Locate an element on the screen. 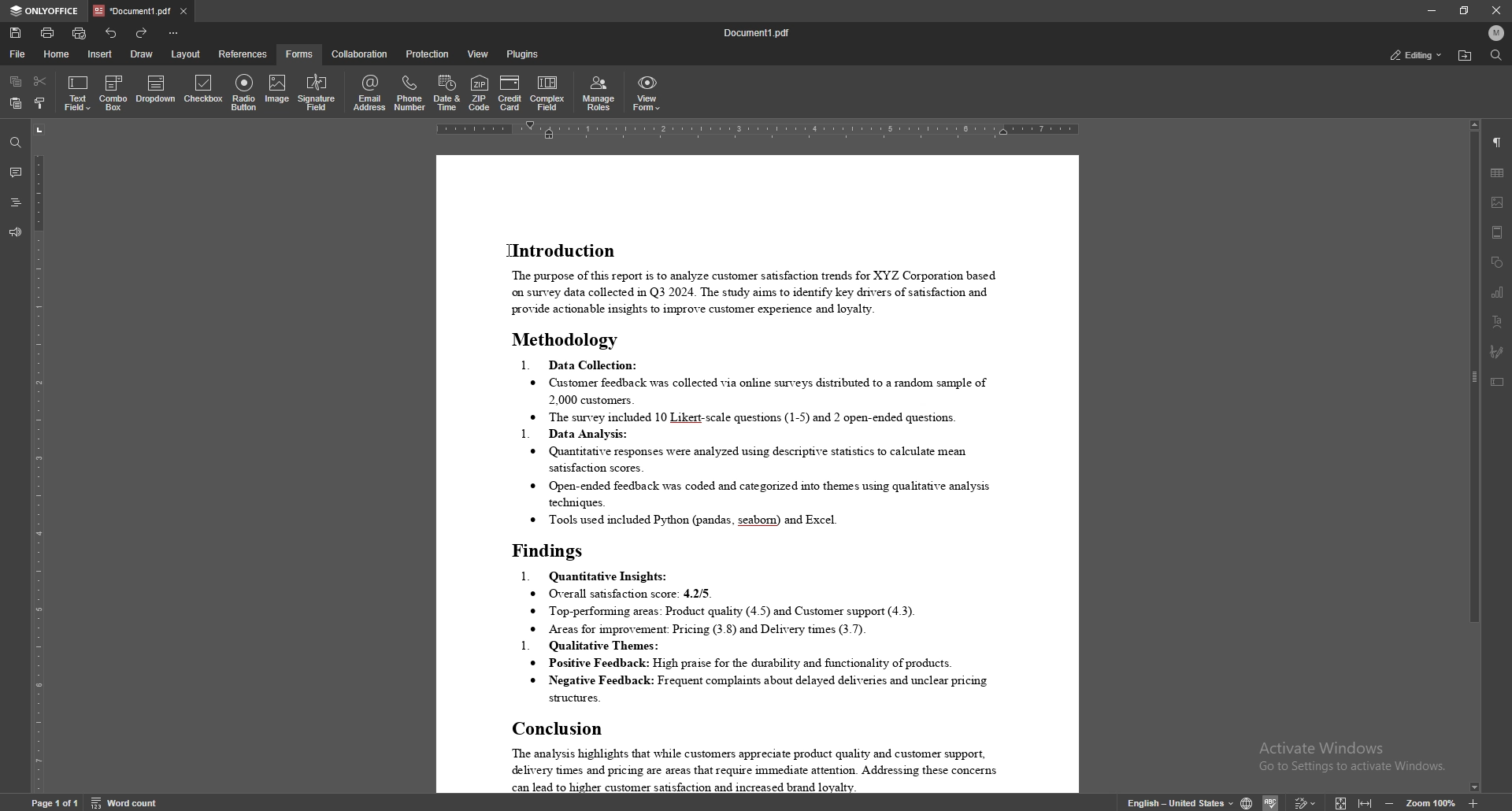 The image size is (1512, 811). image is located at coordinates (278, 91).